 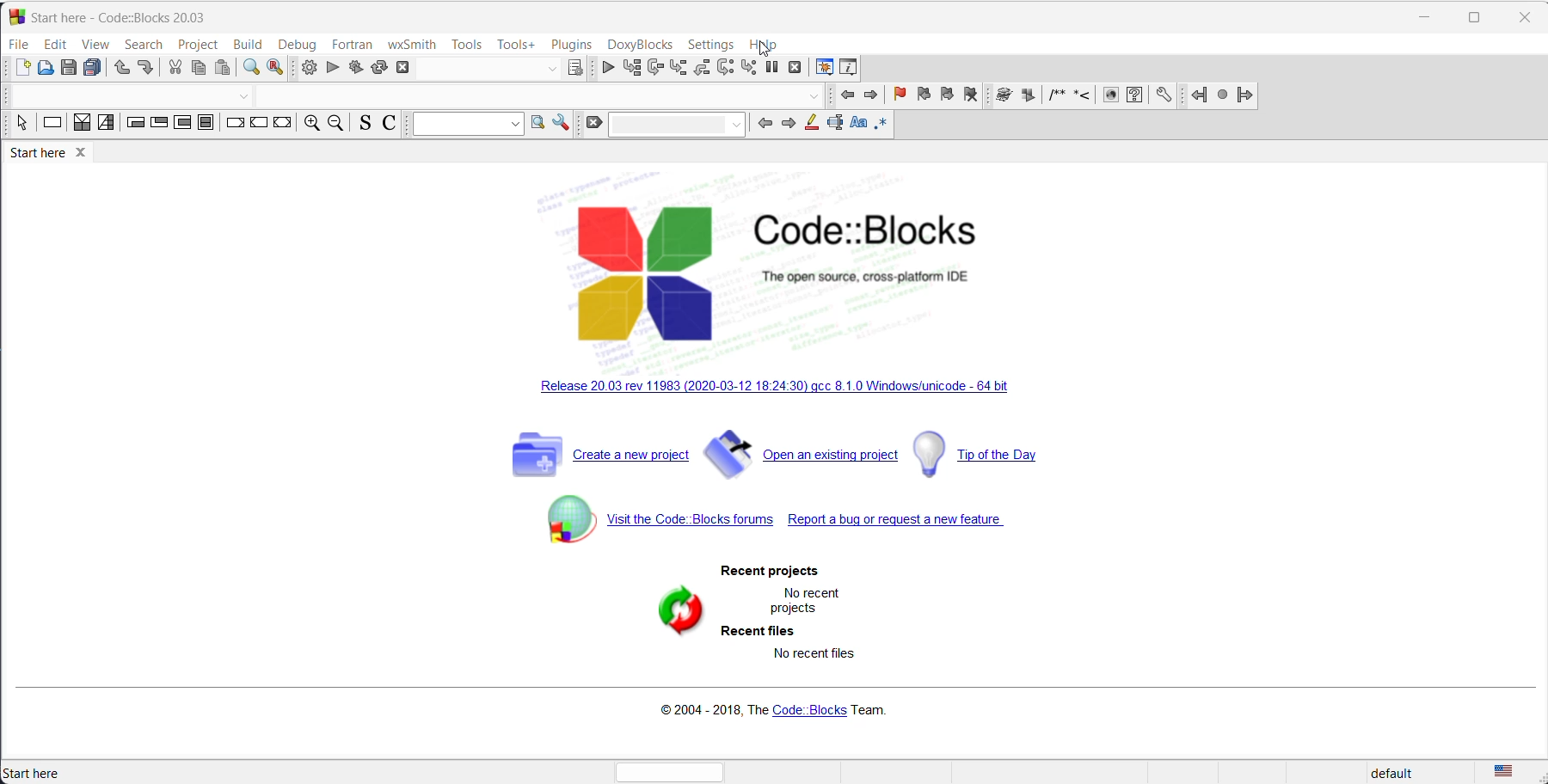 I want to click on step into, so click(x=679, y=68).